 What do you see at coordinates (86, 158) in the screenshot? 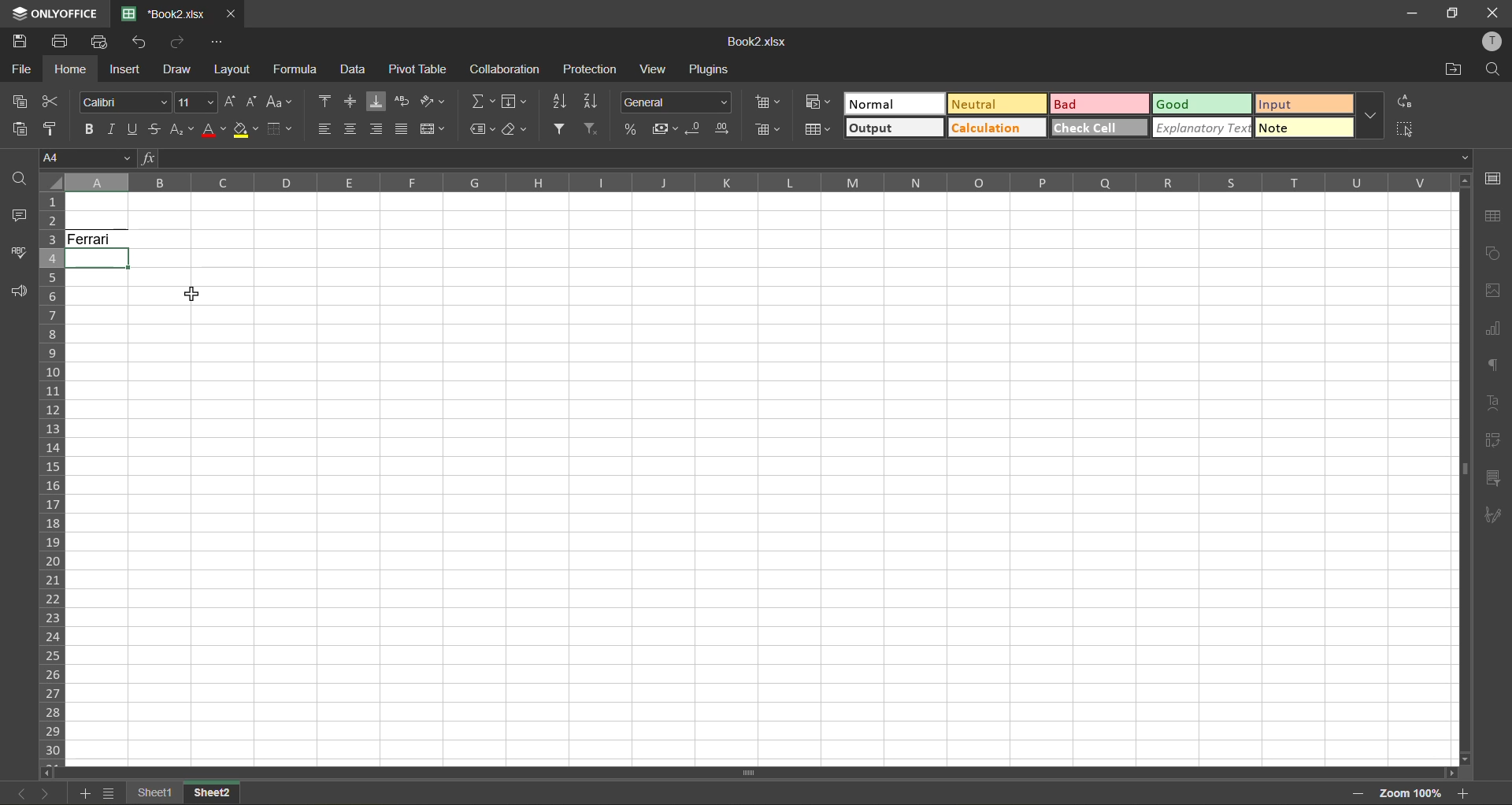
I see `cell address` at bounding box center [86, 158].